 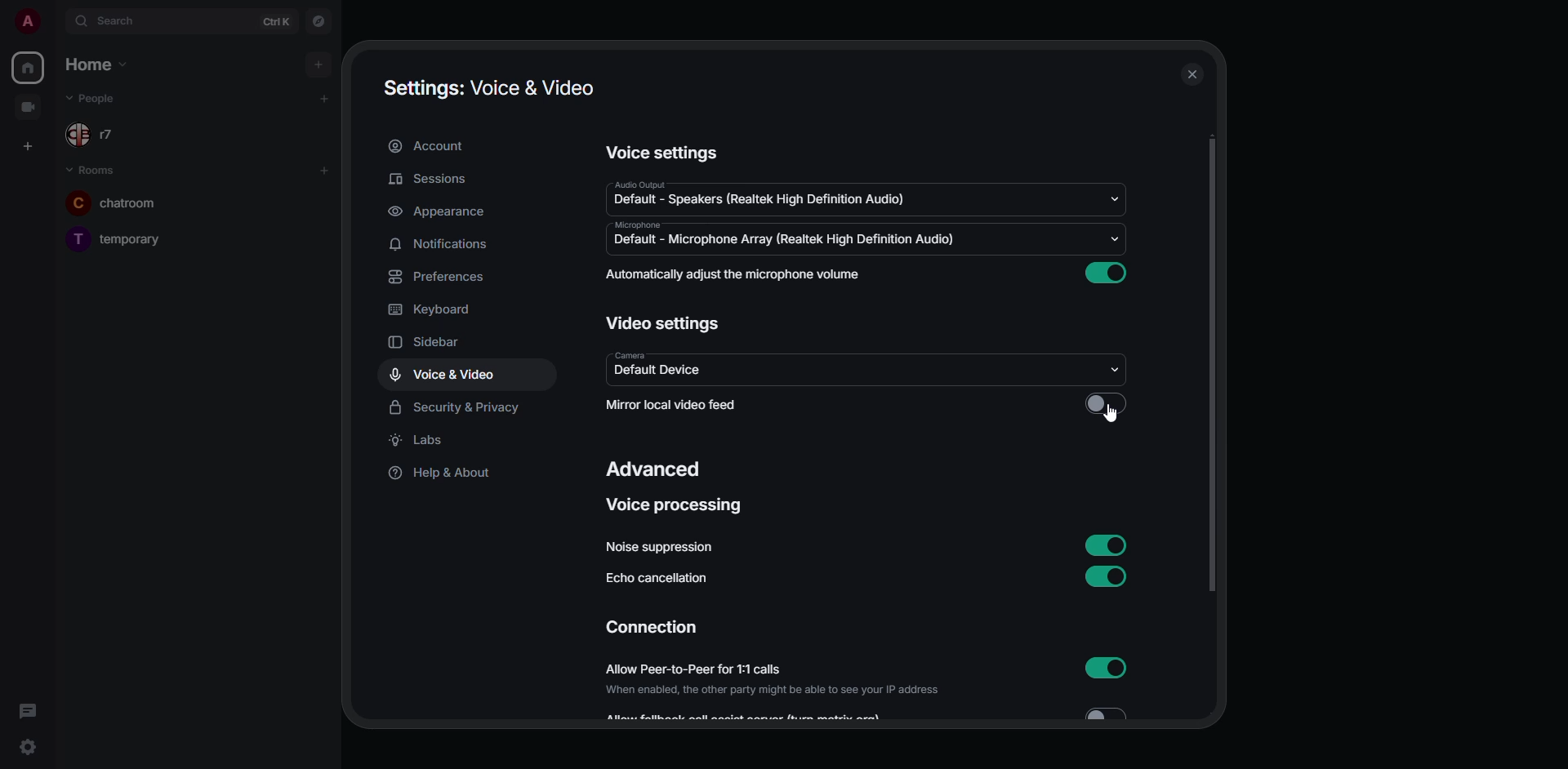 What do you see at coordinates (59, 24) in the screenshot?
I see `expand` at bounding box center [59, 24].